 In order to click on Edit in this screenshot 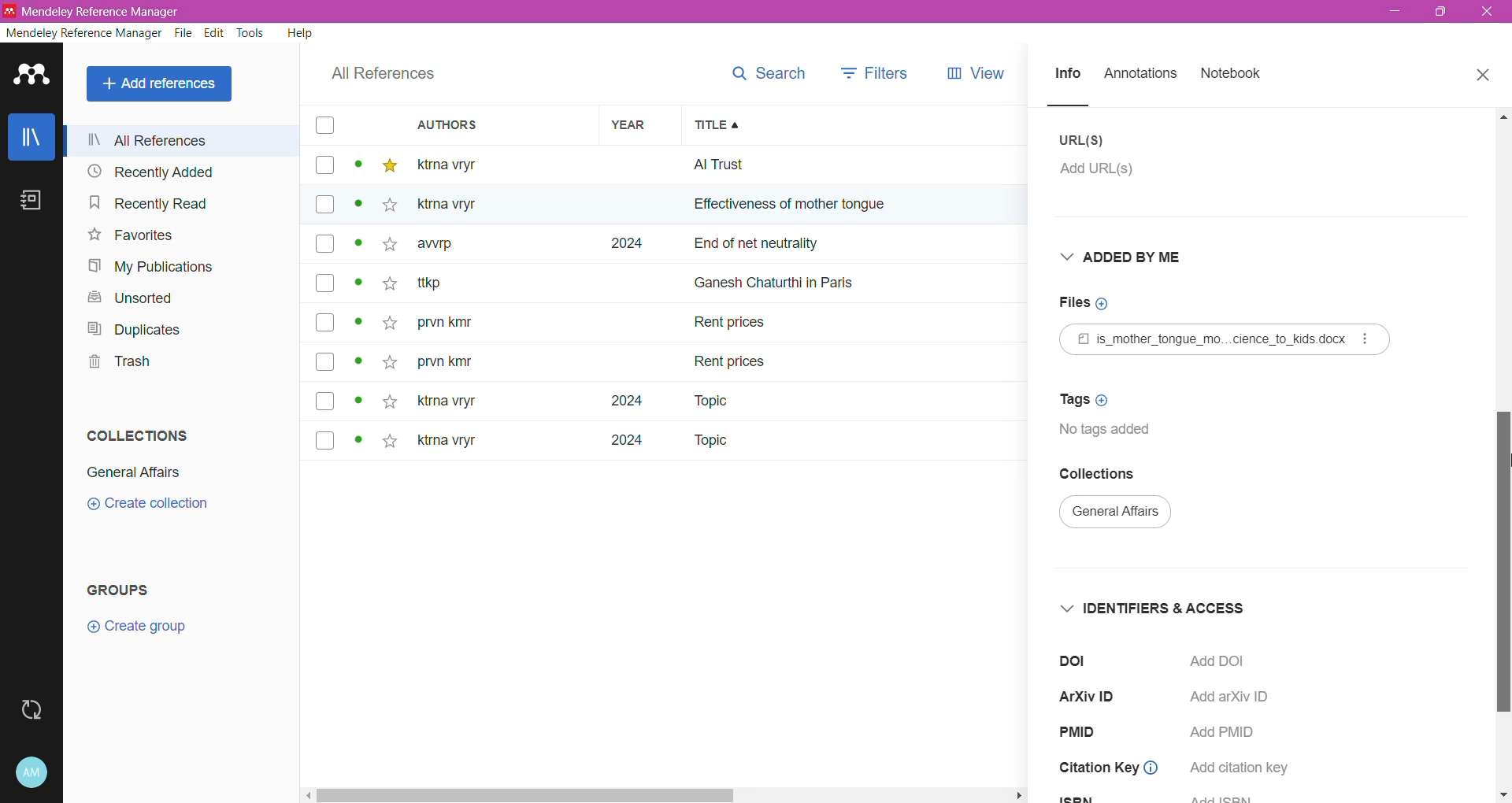, I will do `click(216, 33)`.